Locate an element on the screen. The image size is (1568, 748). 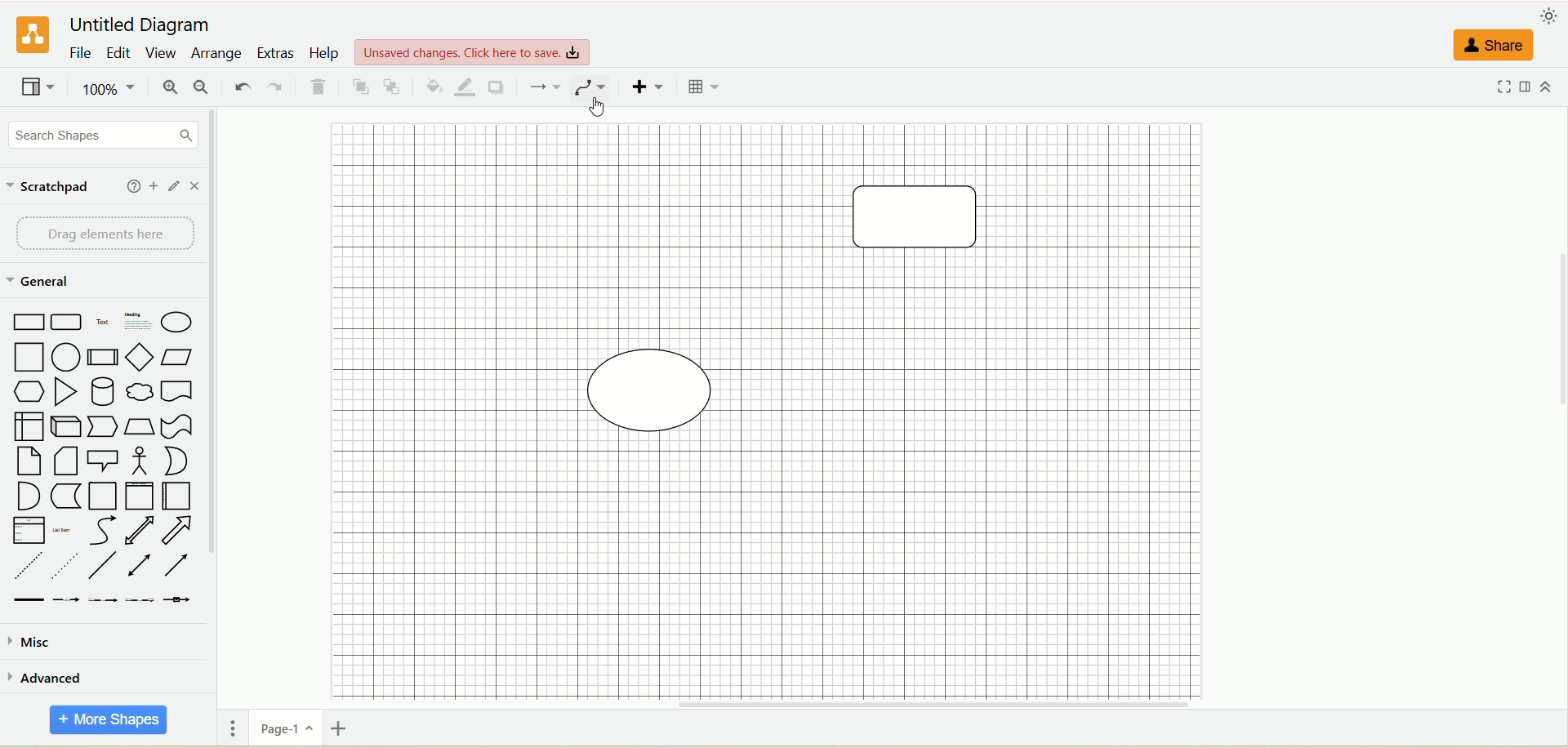
help is located at coordinates (128, 183).